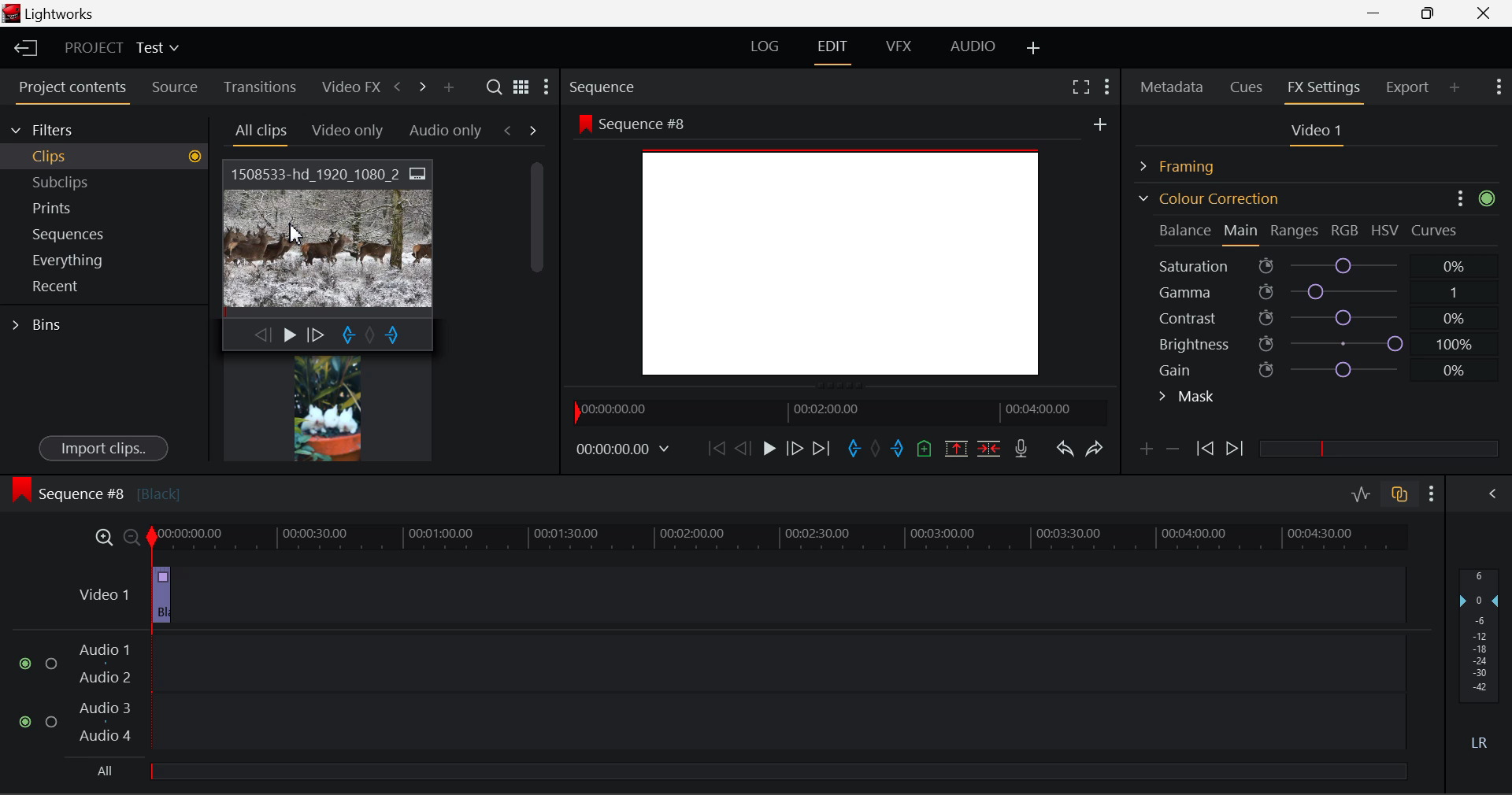 The image size is (1512, 795). What do you see at coordinates (420, 86) in the screenshot?
I see `Next Panel` at bounding box center [420, 86].